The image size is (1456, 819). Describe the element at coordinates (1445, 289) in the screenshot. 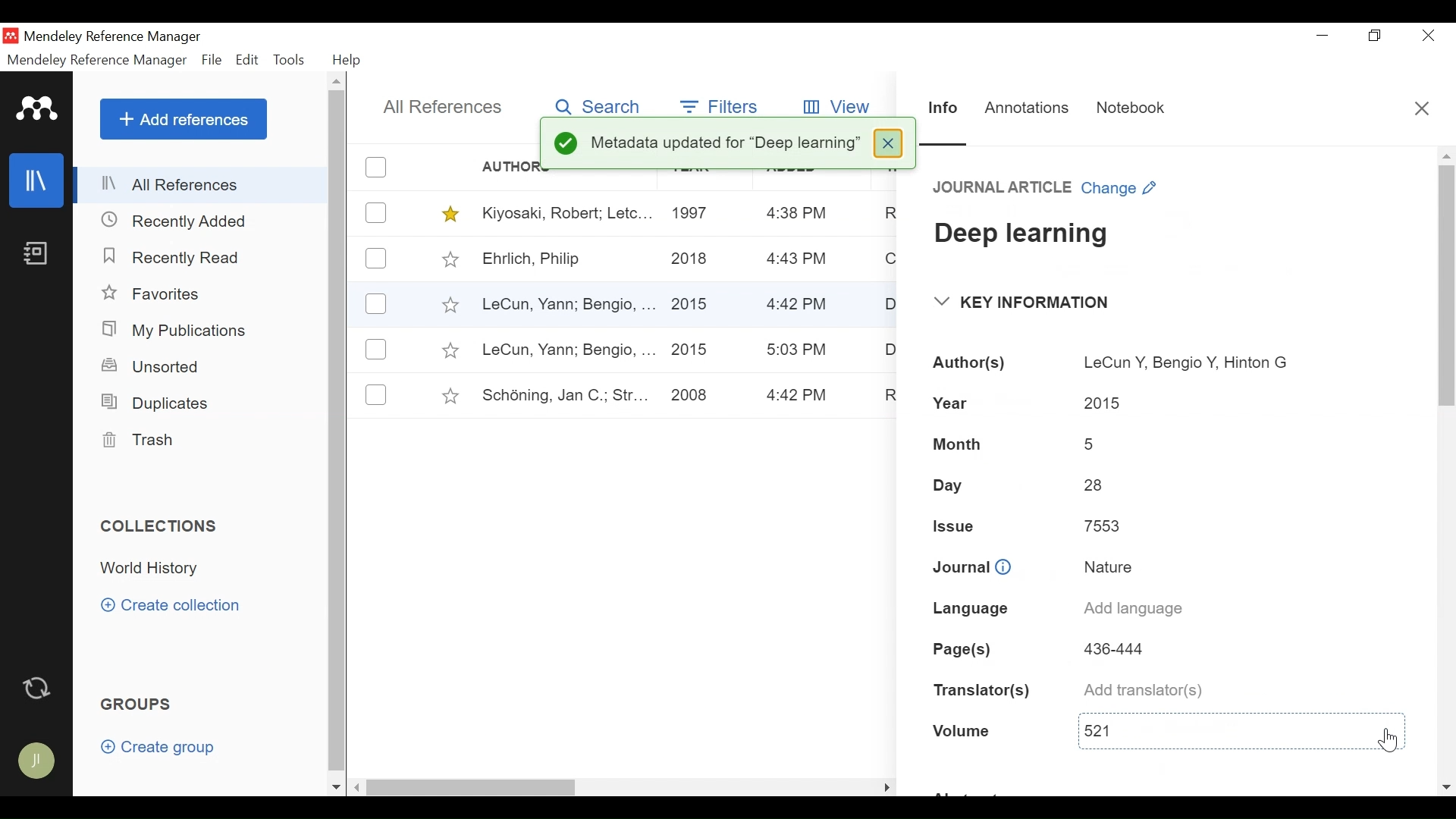

I see `Vertical Scroll bar` at that location.